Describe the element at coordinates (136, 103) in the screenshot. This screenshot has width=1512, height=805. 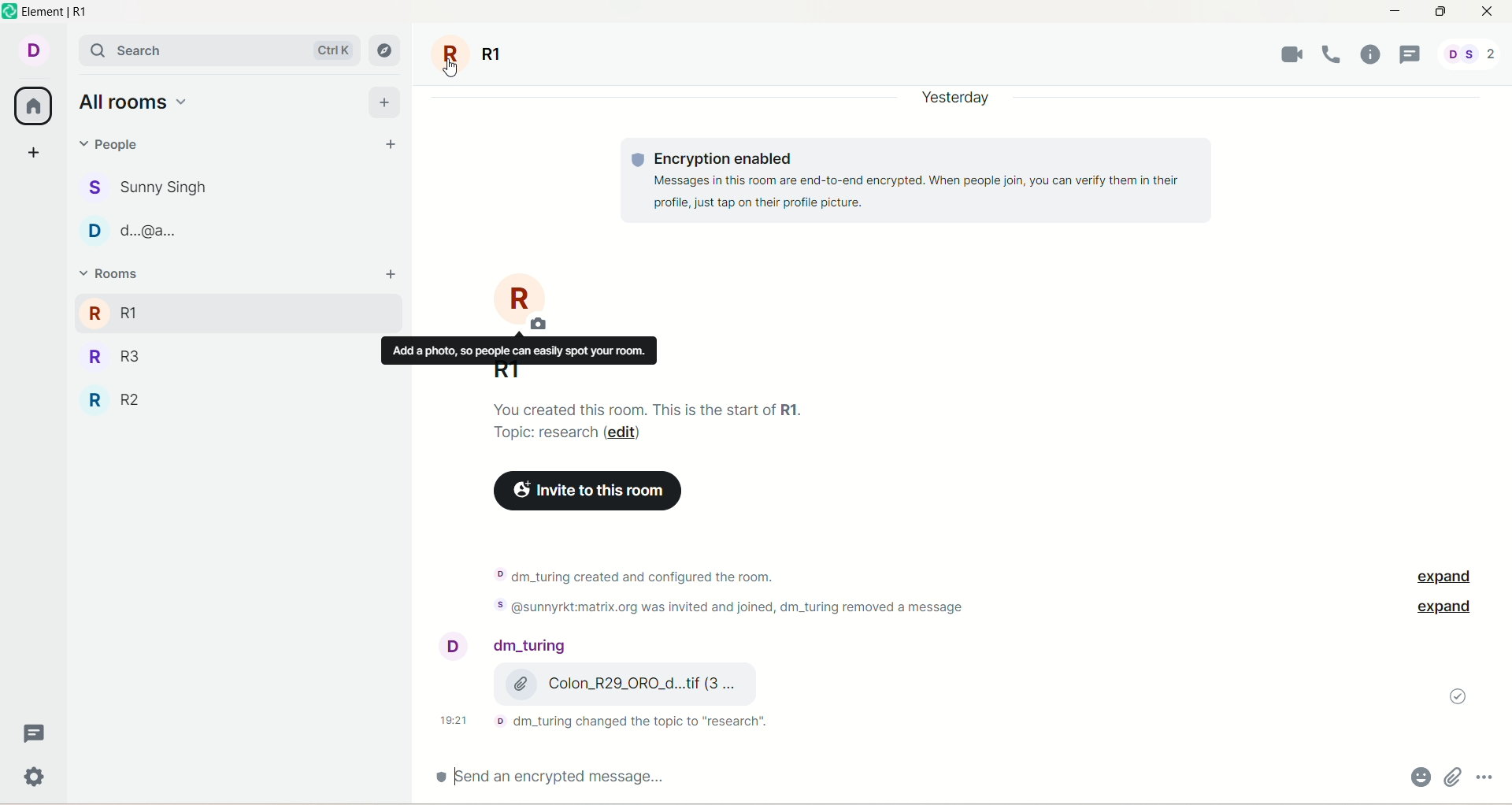
I see `all rooms` at that location.